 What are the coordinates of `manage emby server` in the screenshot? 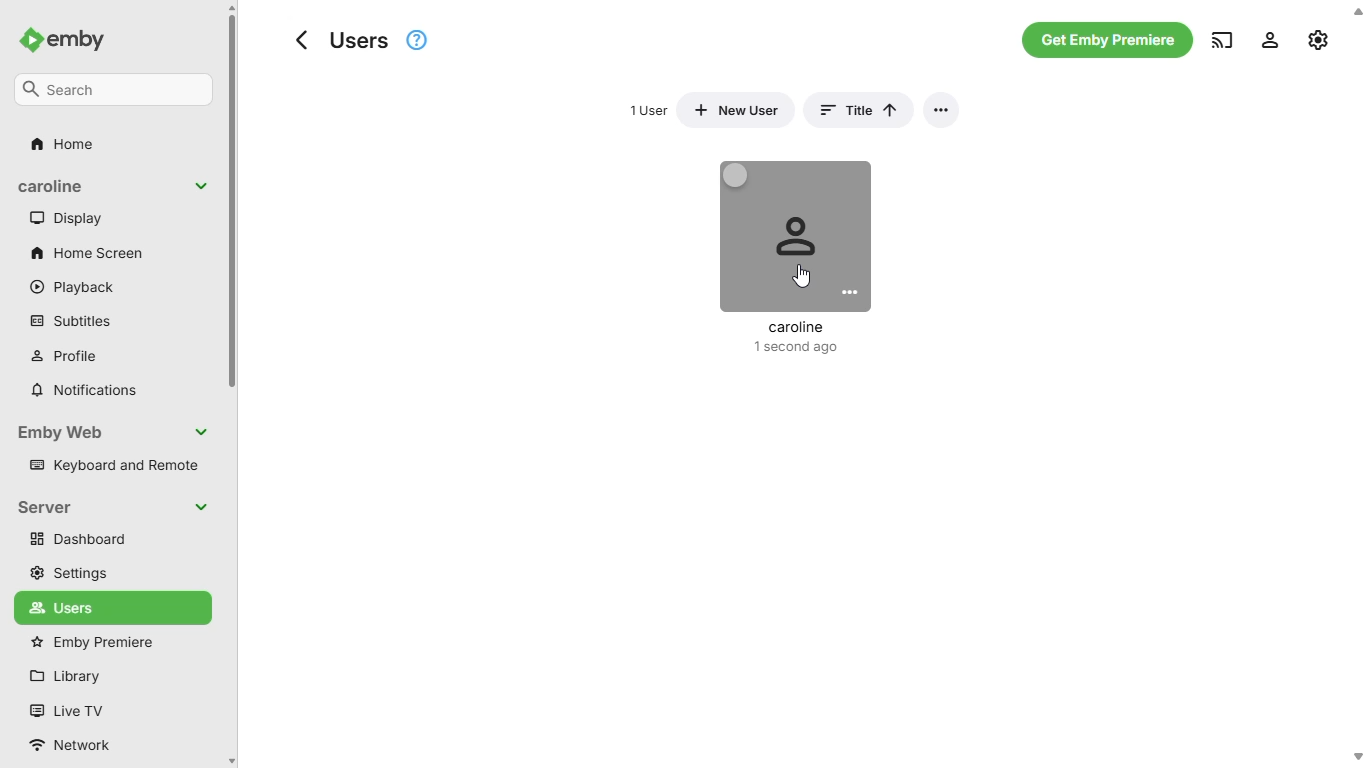 It's located at (1318, 38).